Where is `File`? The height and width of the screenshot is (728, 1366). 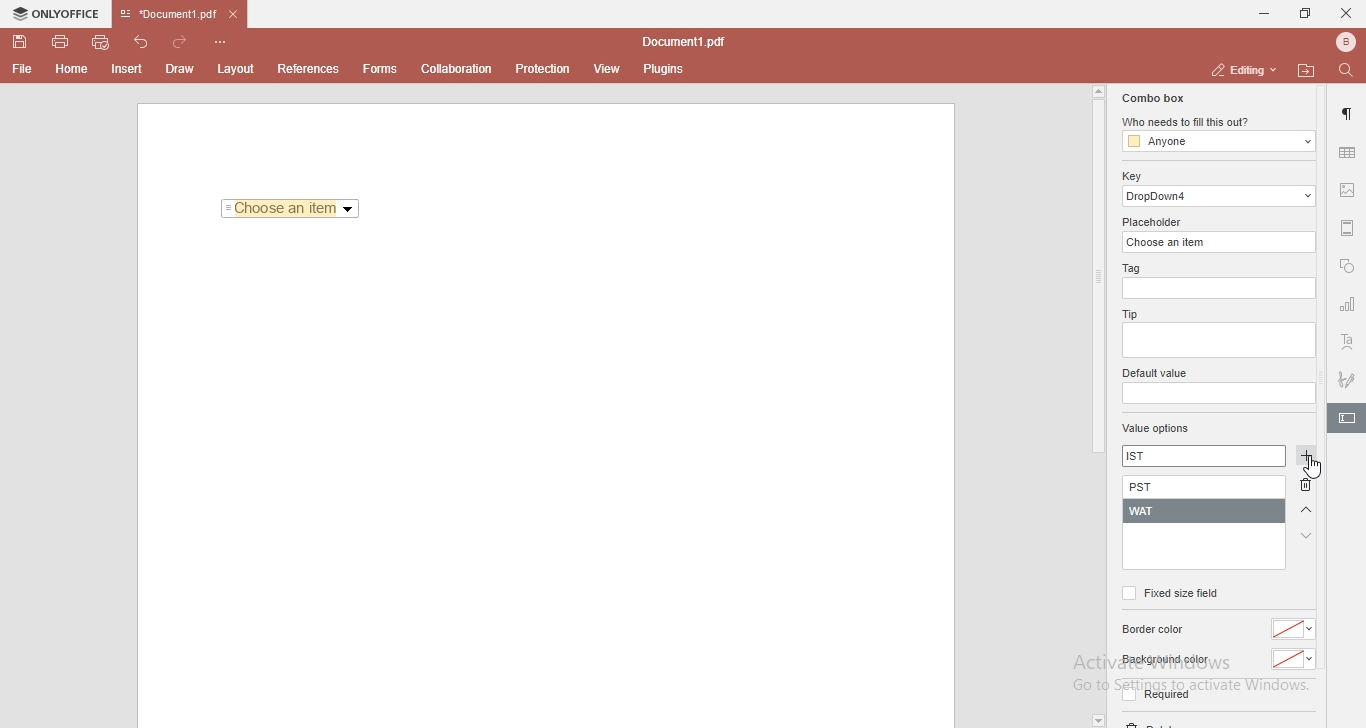 File is located at coordinates (20, 69).